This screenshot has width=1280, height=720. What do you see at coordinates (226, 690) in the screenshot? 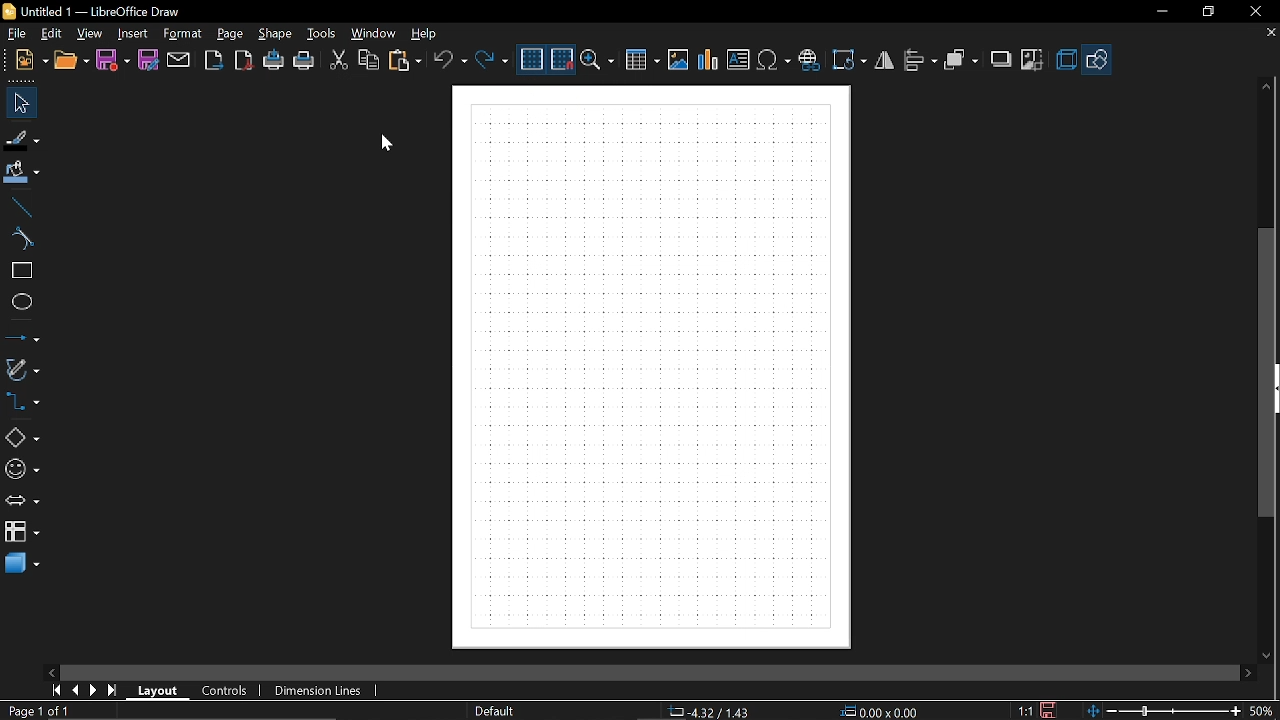
I see `controls` at bounding box center [226, 690].